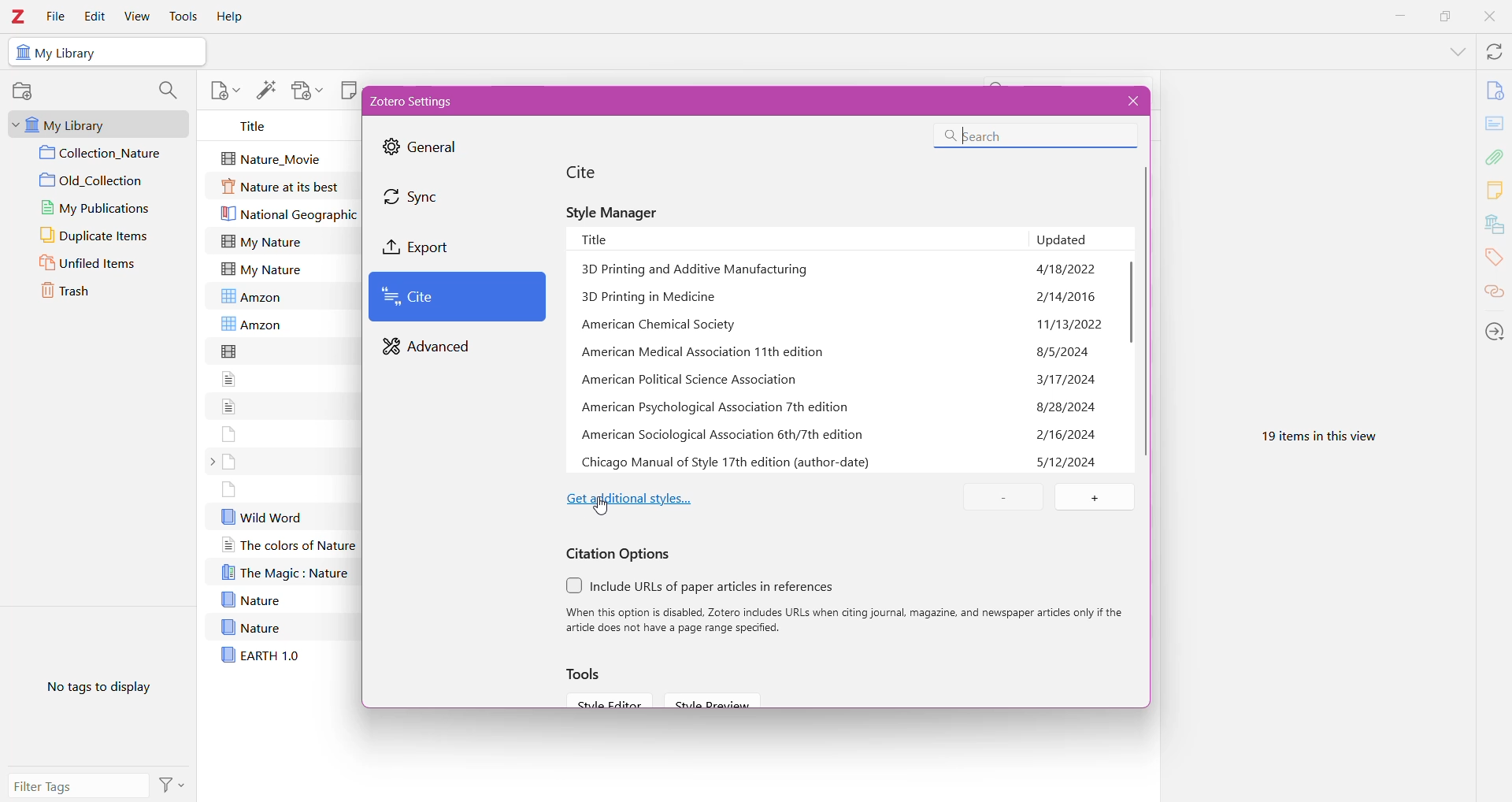 The image size is (1512, 802). What do you see at coordinates (431, 347) in the screenshot?
I see `Advanced` at bounding box center [431, 347].